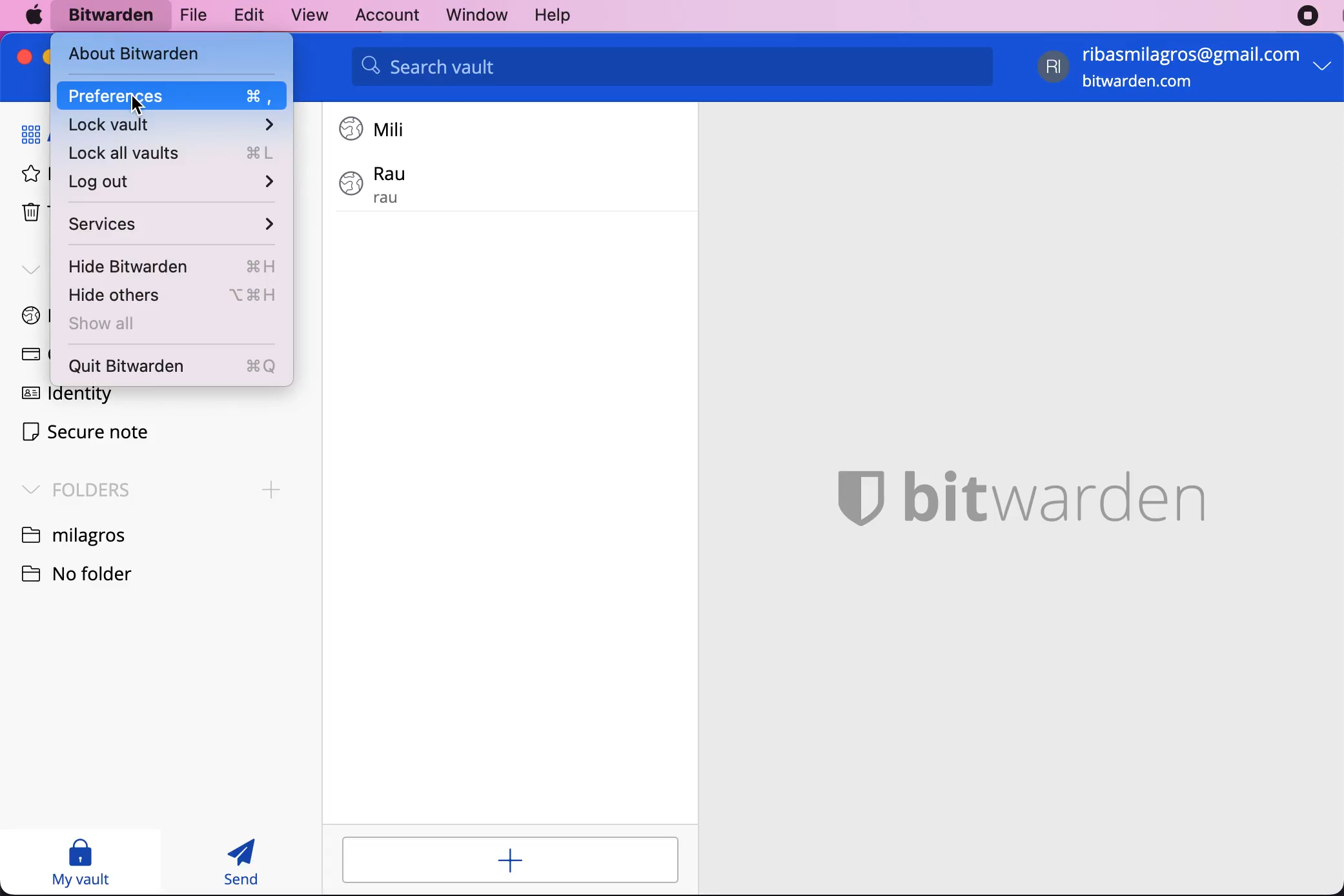 This screenshot has height=896, width=1344. What do you see at coordinates (1308, 16) in the screenshot?
I see `recording stopped` at bounding box center [1308, 16].